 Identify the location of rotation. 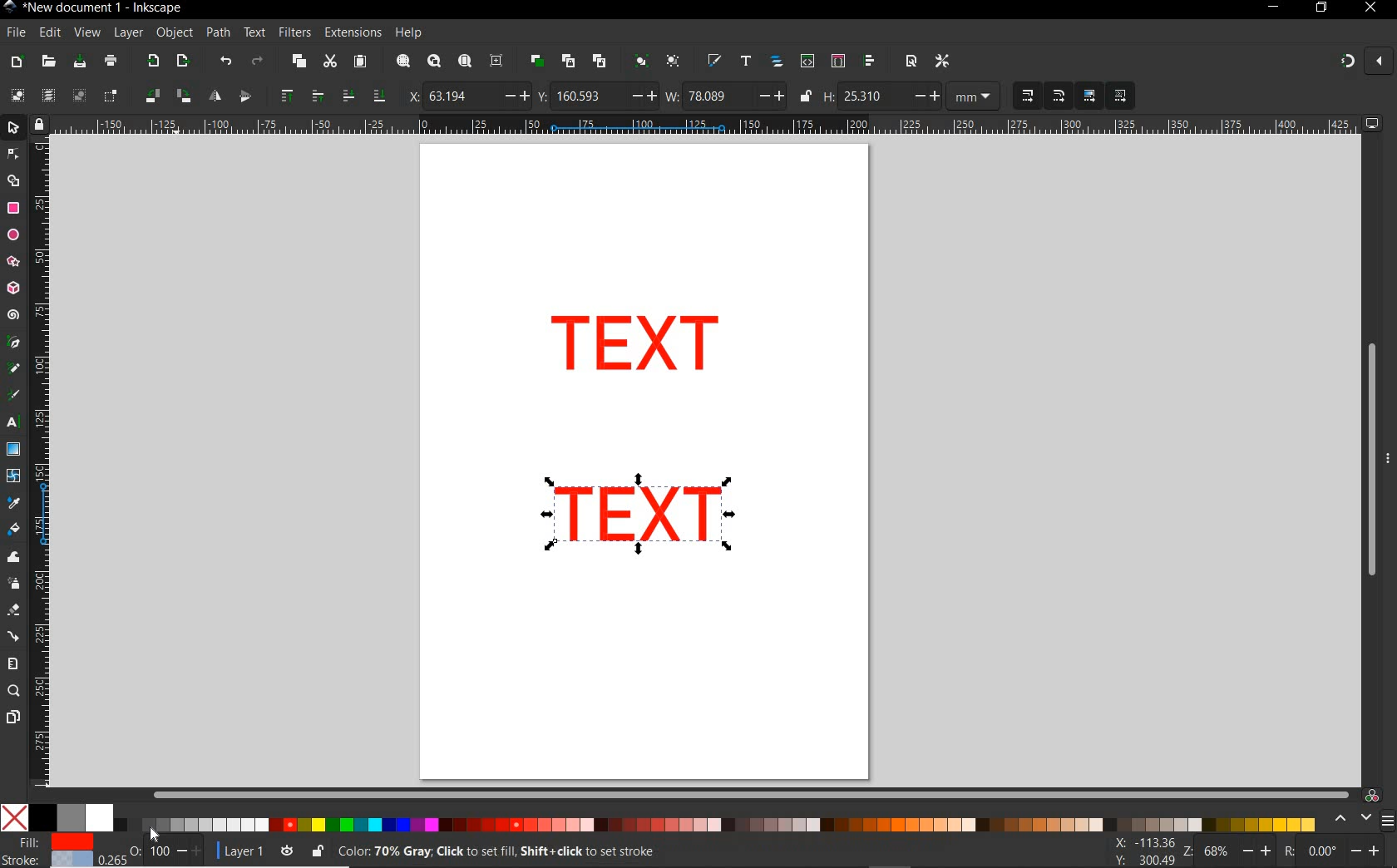
(1334, 850).